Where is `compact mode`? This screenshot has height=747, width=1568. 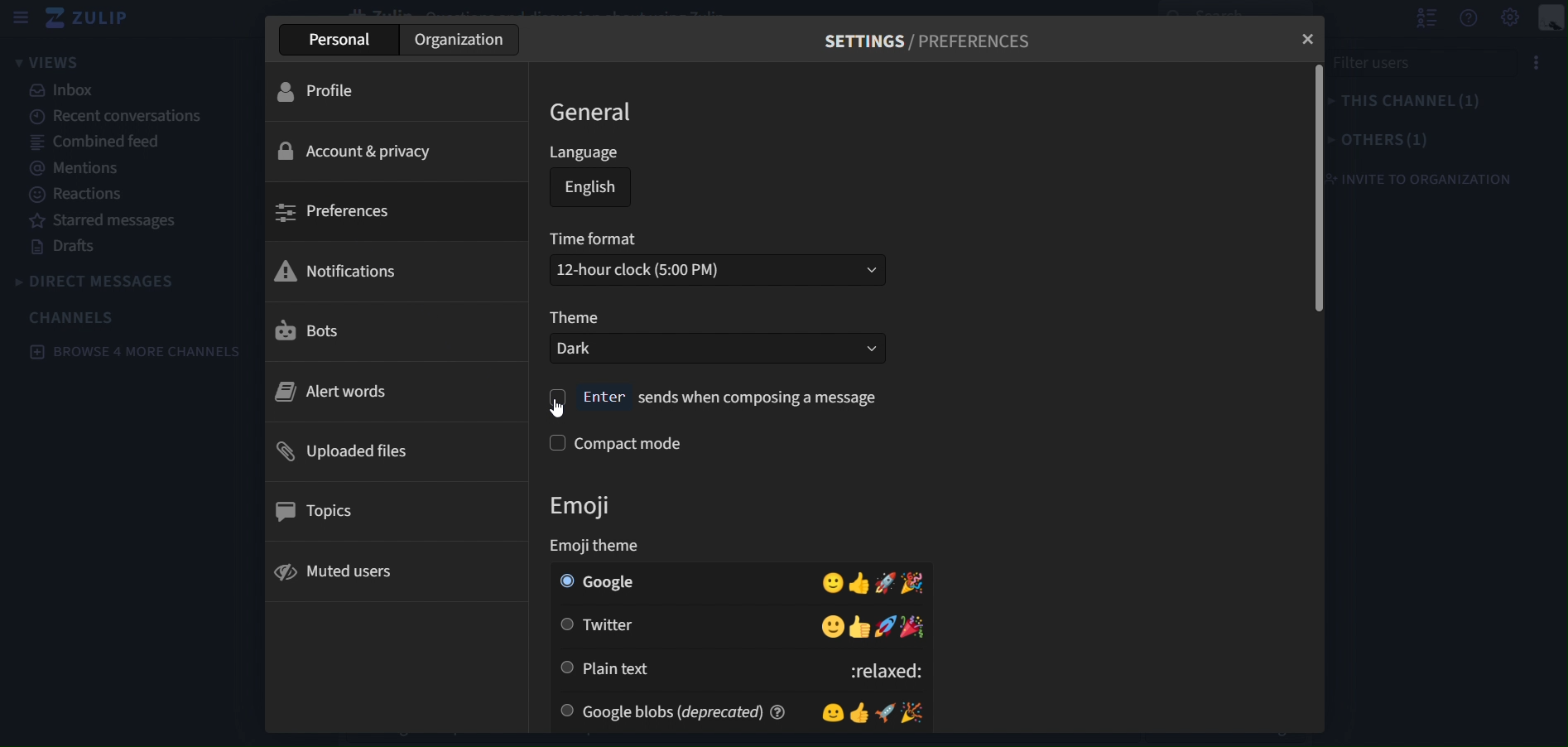 compact mode is located at coordinates (632, 444).